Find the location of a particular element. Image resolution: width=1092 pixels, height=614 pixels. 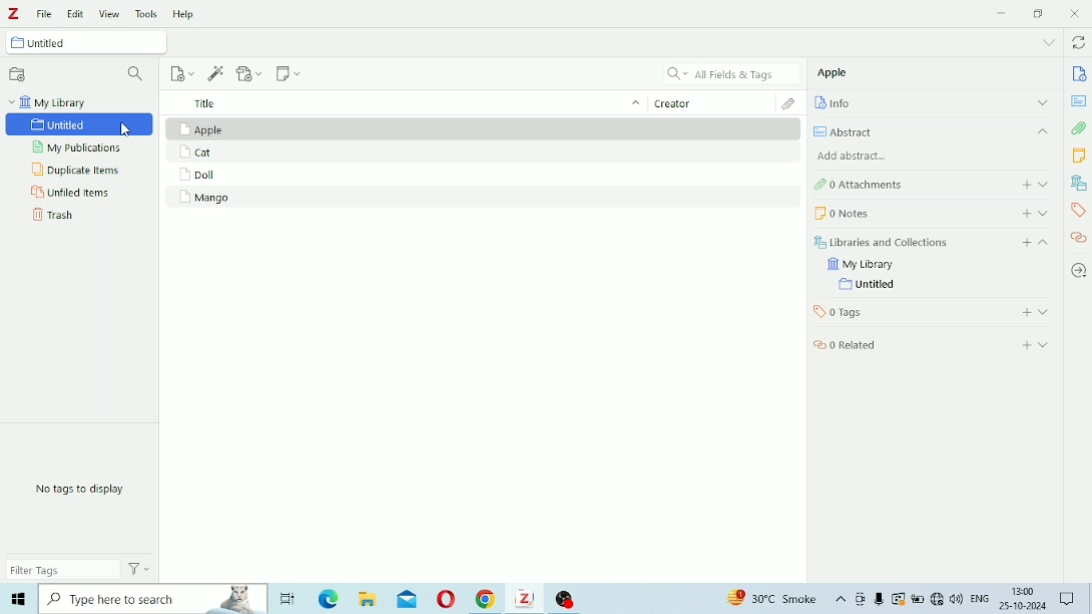

Mango is located at coordinates (203, 198).